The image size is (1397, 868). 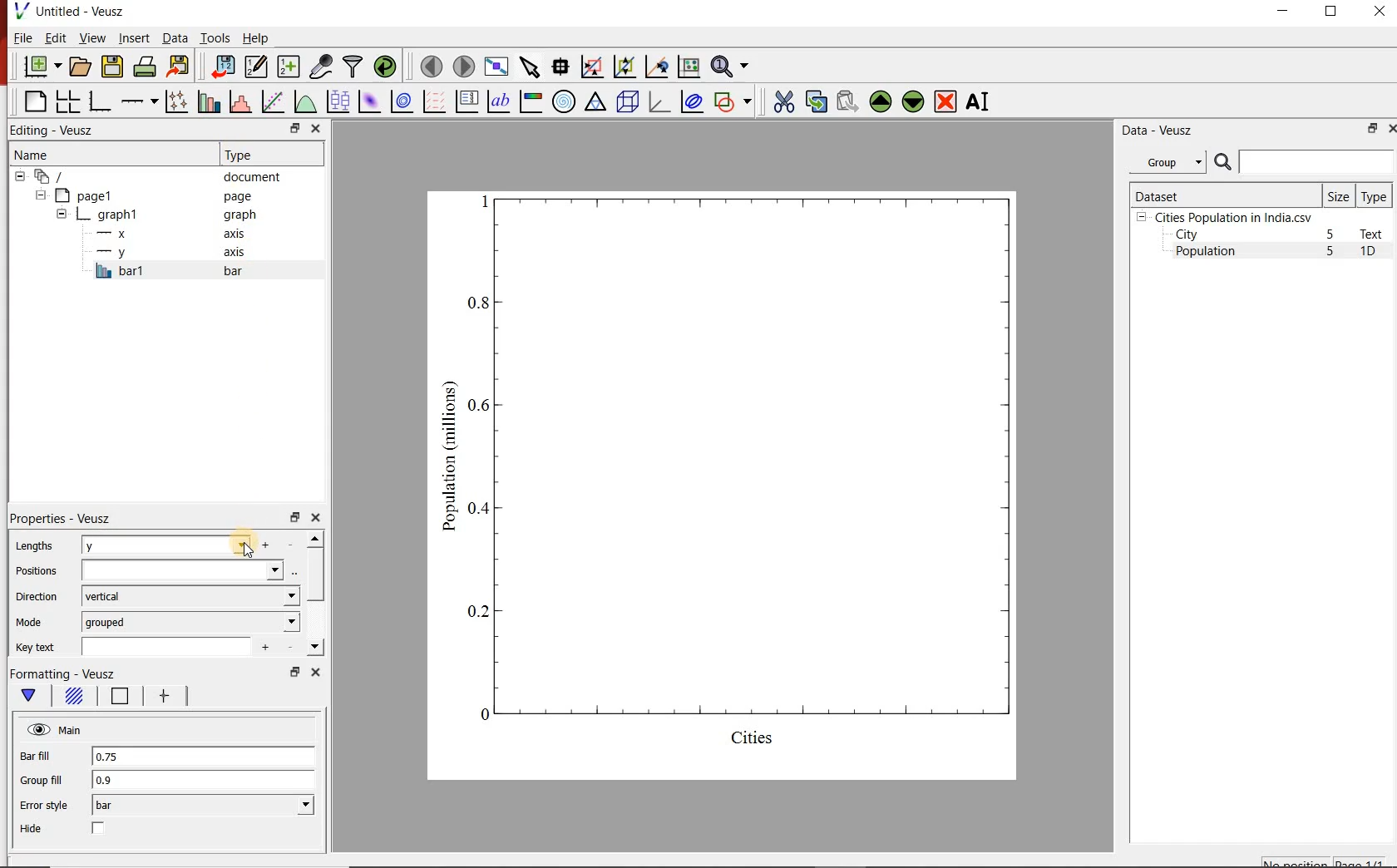 What do you see at coordinates (192, 570) in the screenshot?
I see `input field` at bounding box center [192, 570].